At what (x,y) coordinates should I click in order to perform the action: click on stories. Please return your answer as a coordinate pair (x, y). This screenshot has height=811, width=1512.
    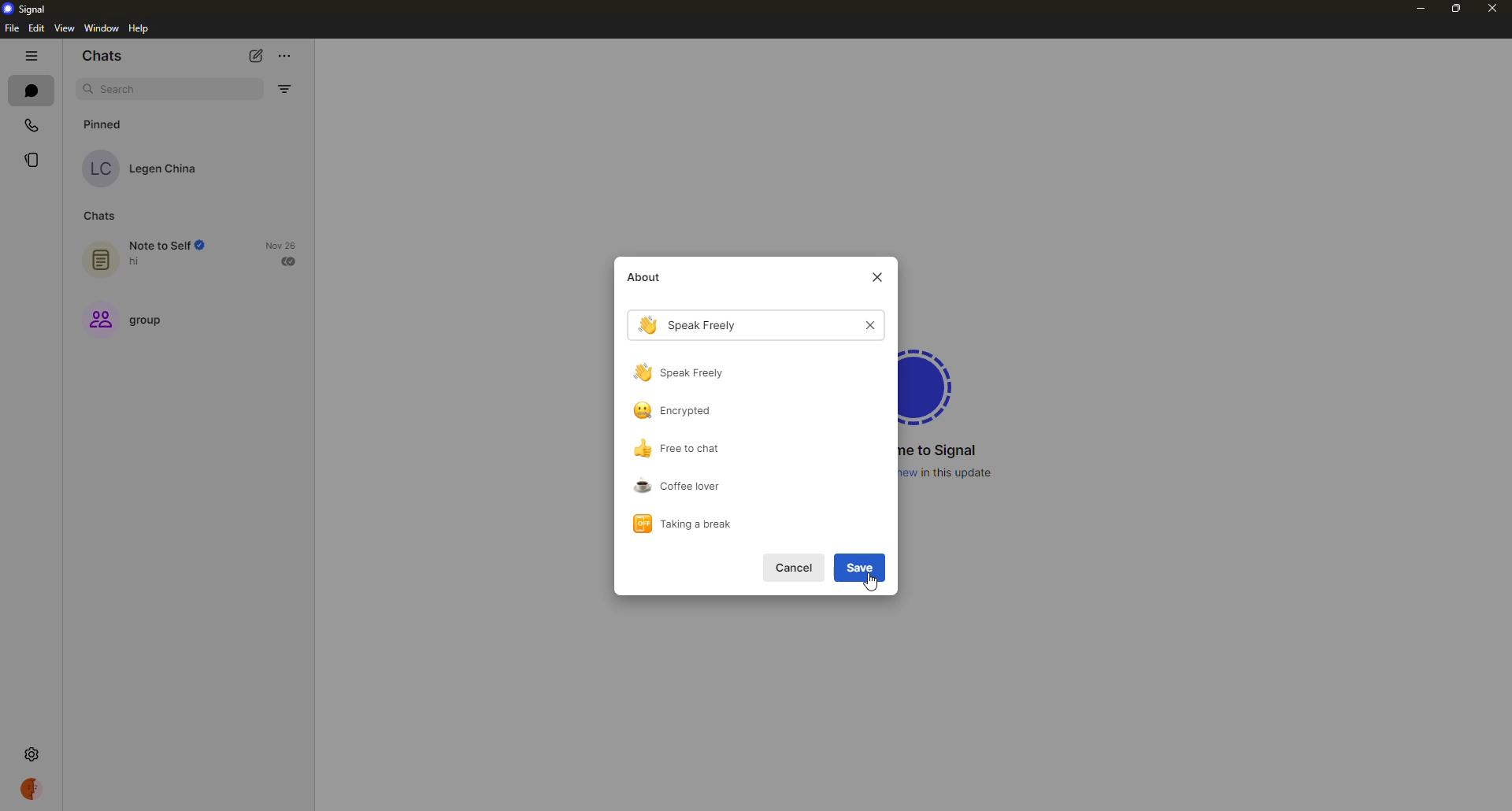
    Looking at the image, I should click on (33, 159).